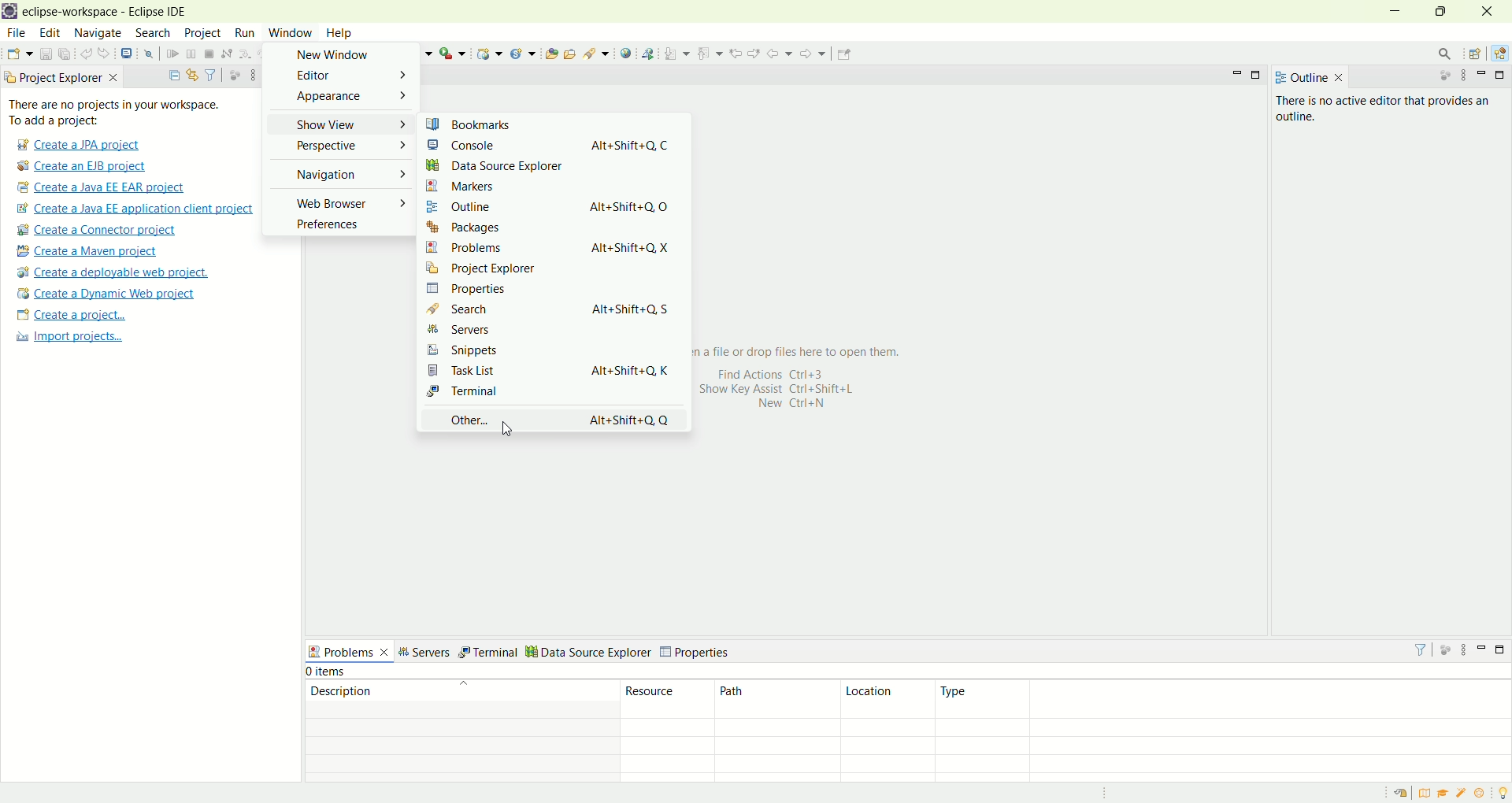 The height and width of the screenshot is (803, 1512). I want to click on search, so click(595, 54).